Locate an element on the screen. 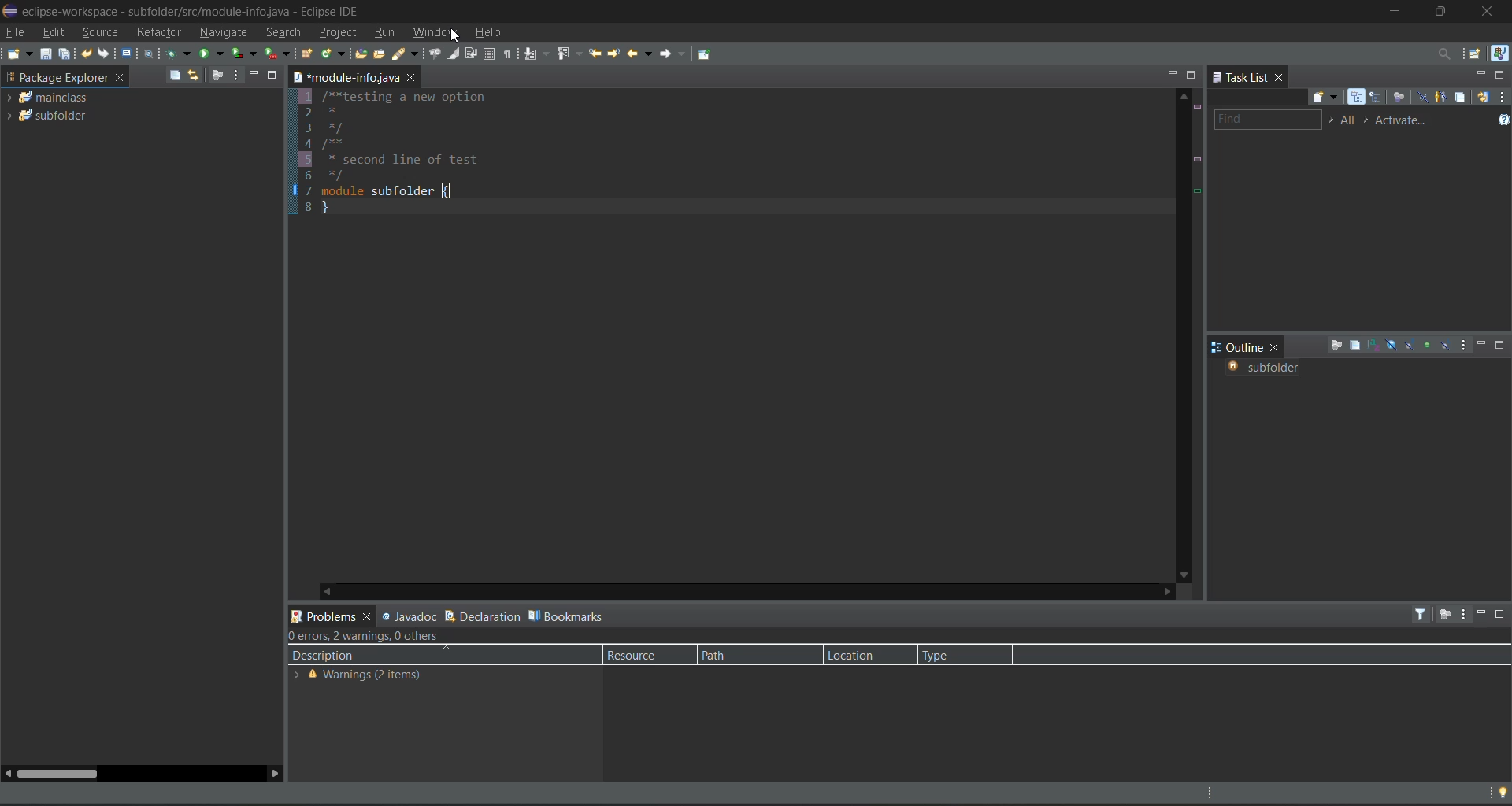  open perspective is located at coordinates (1477, 55).